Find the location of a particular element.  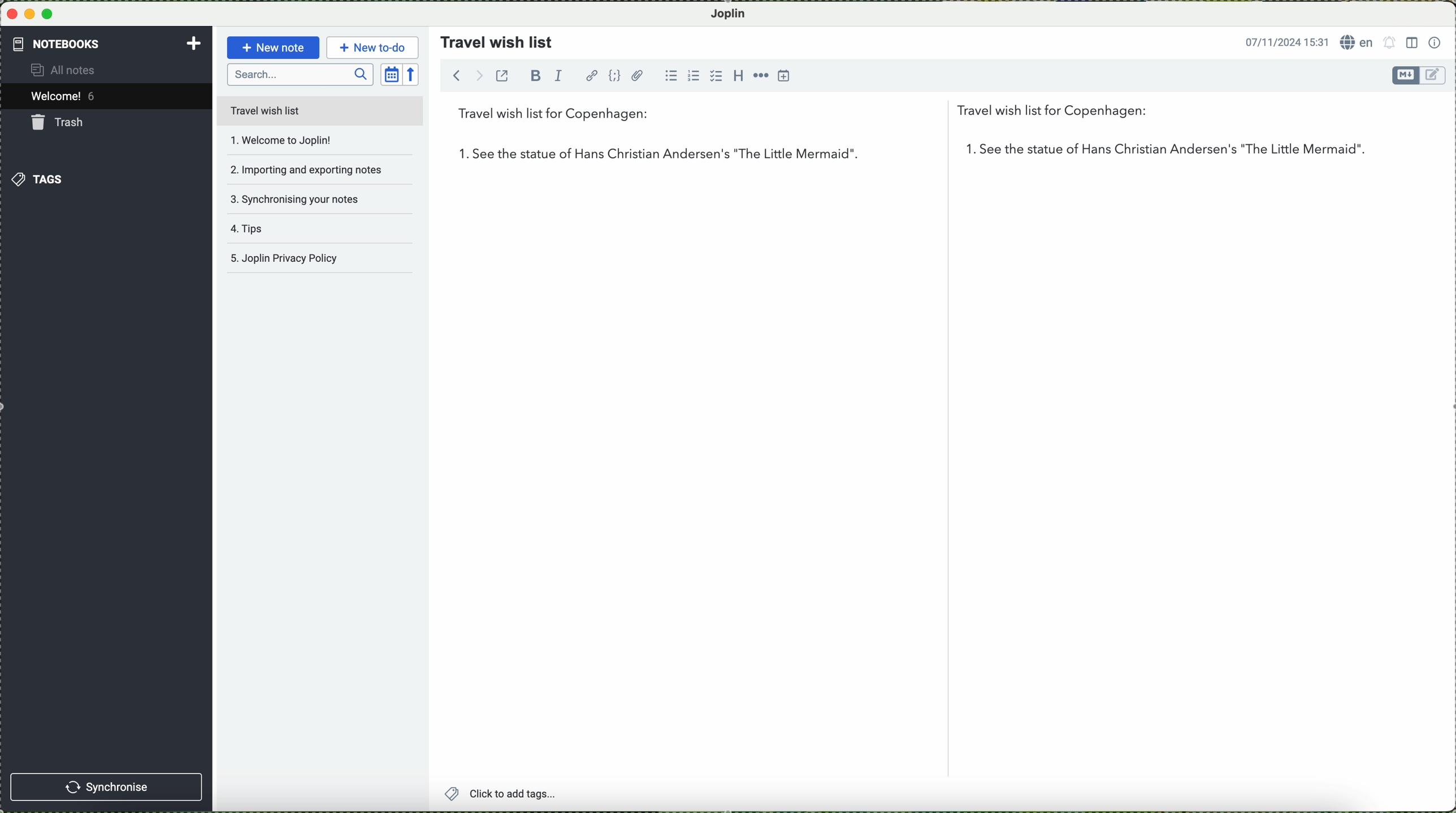

close is located at coordinates (11, 15).